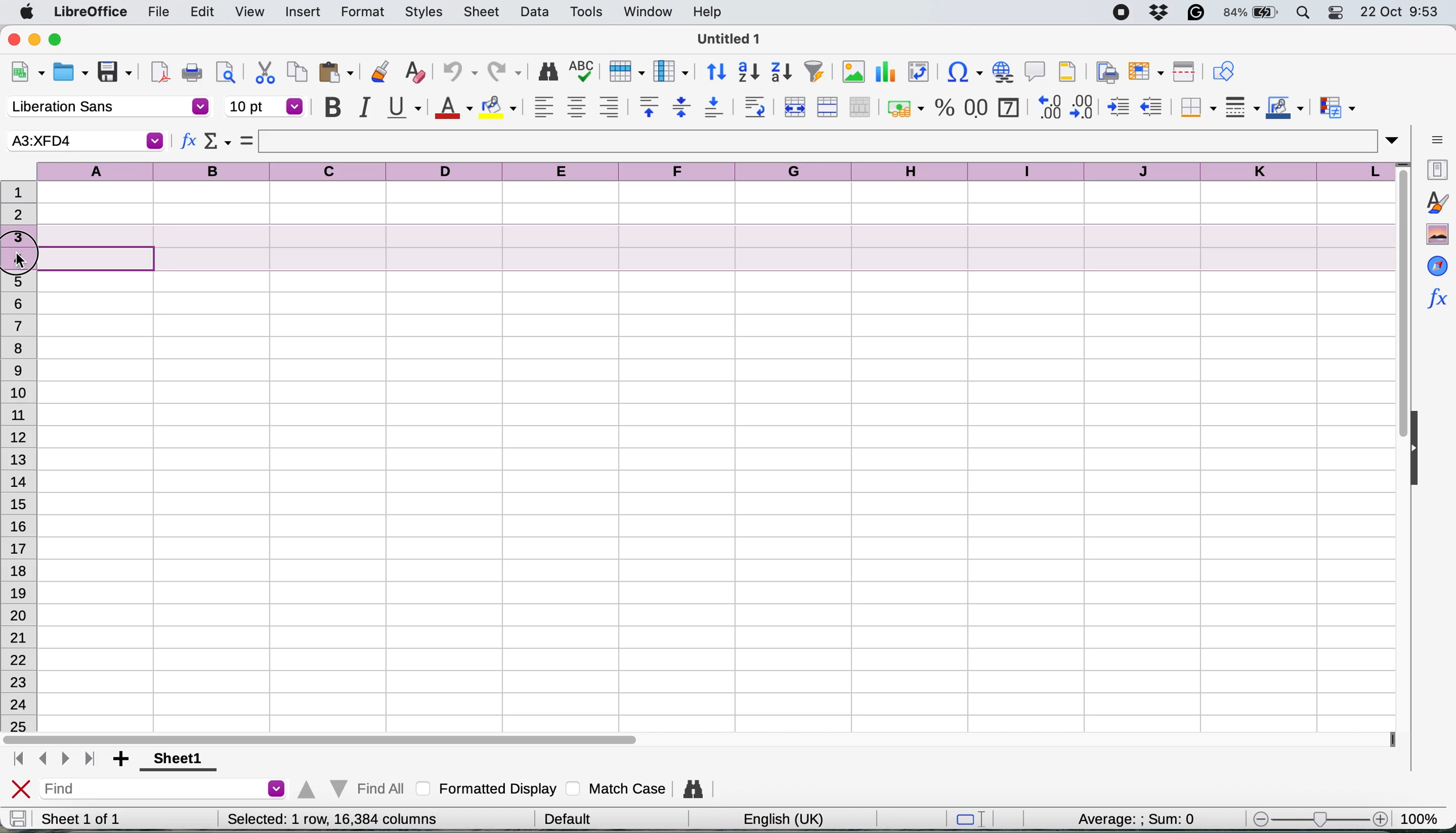  Describe the element at coordinates (647, 13) in the screenshot. I see `window` at that location.